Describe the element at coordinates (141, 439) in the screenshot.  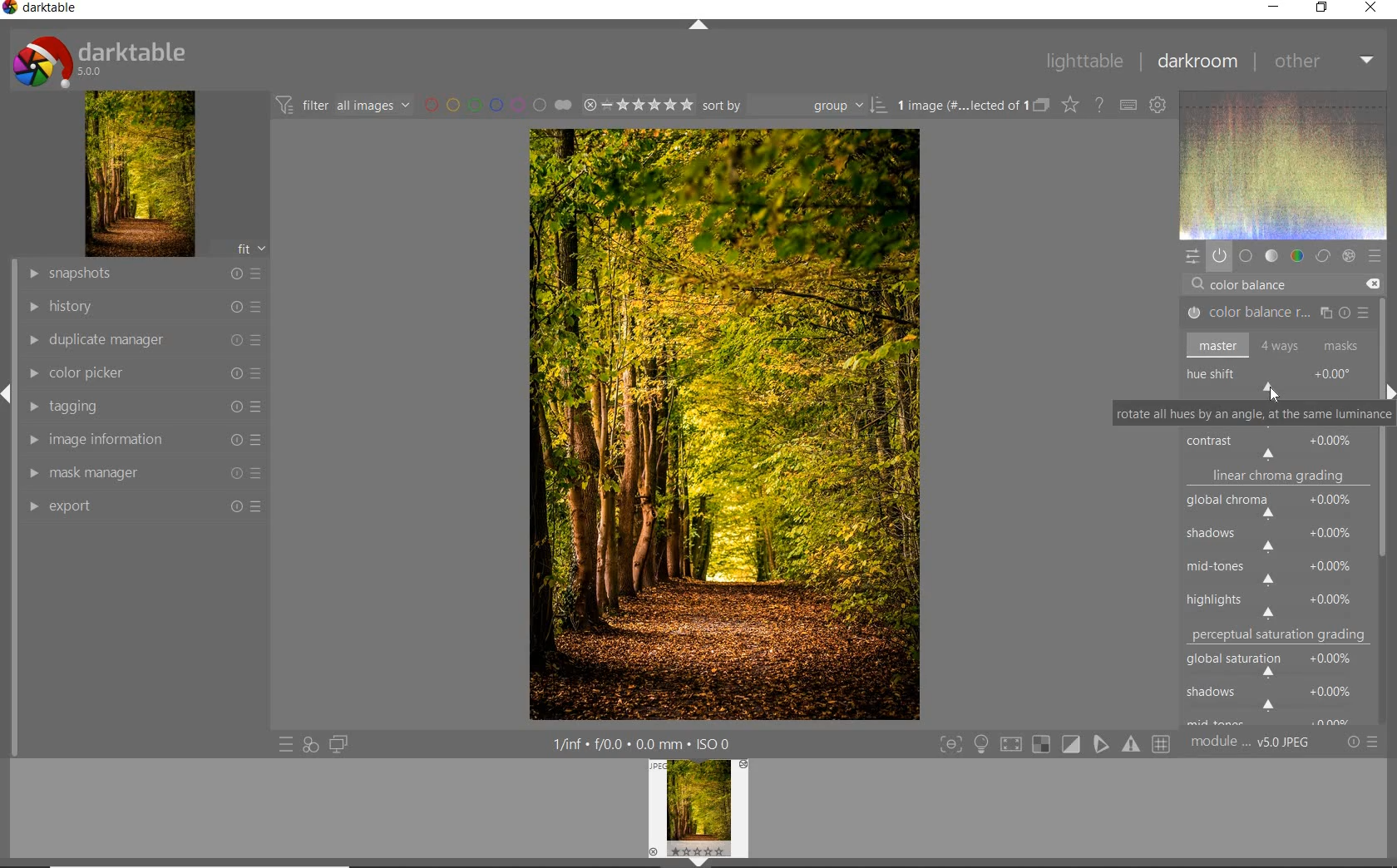
I see `image information` at that location.